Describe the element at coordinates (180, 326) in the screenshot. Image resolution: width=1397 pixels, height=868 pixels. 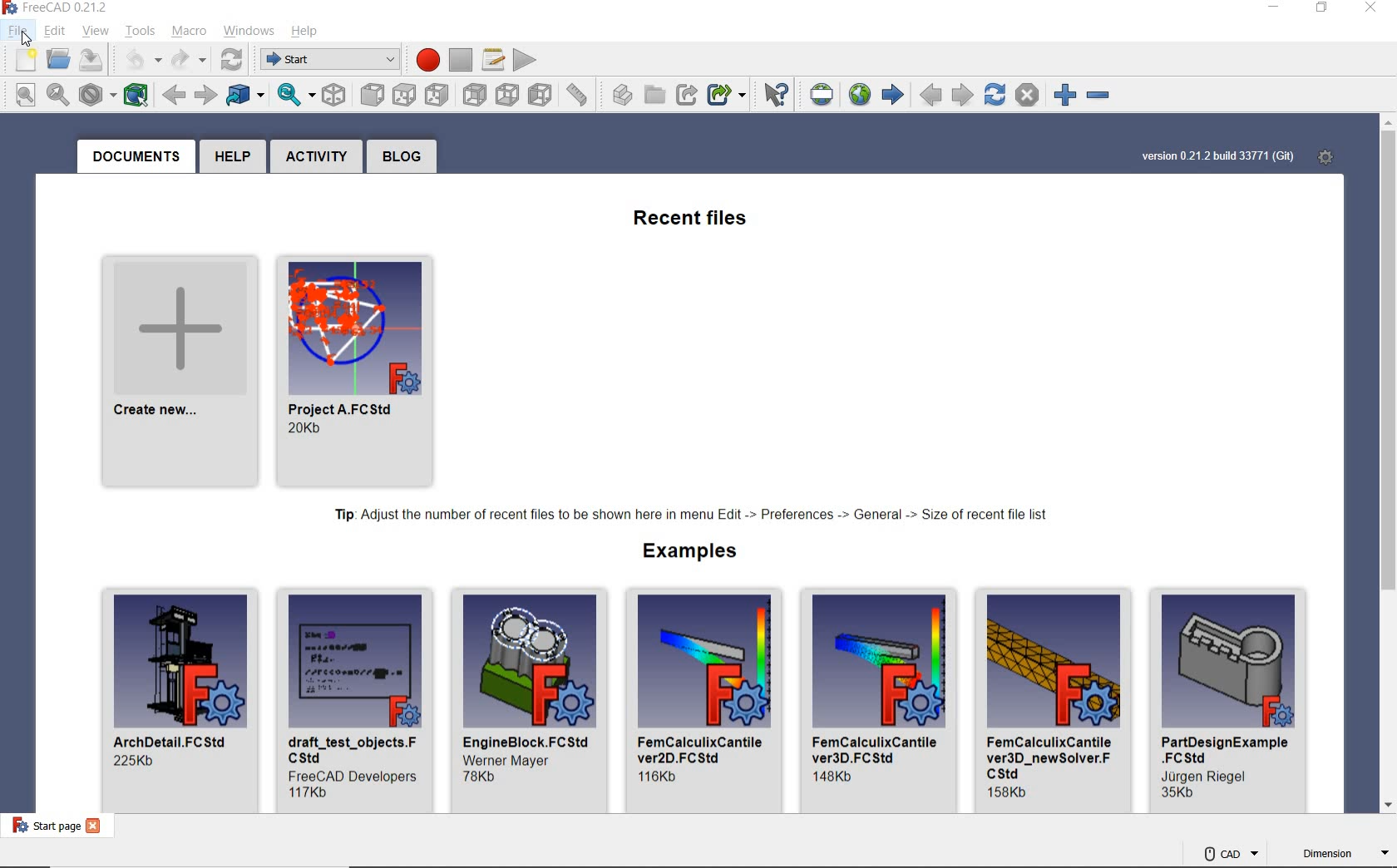
I see `image` at that location.